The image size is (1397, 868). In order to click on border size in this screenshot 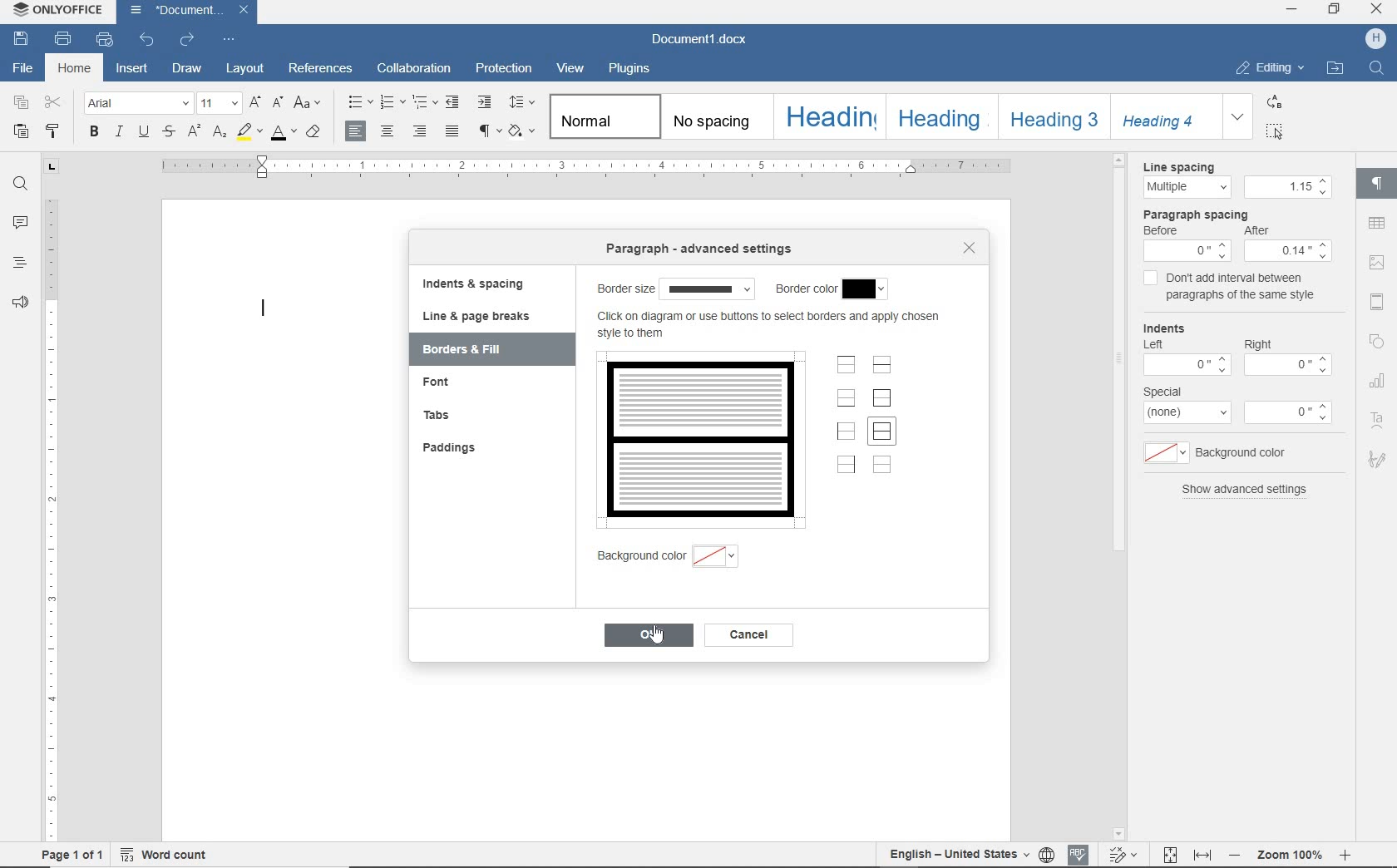, I will do `click(675, 289)`.